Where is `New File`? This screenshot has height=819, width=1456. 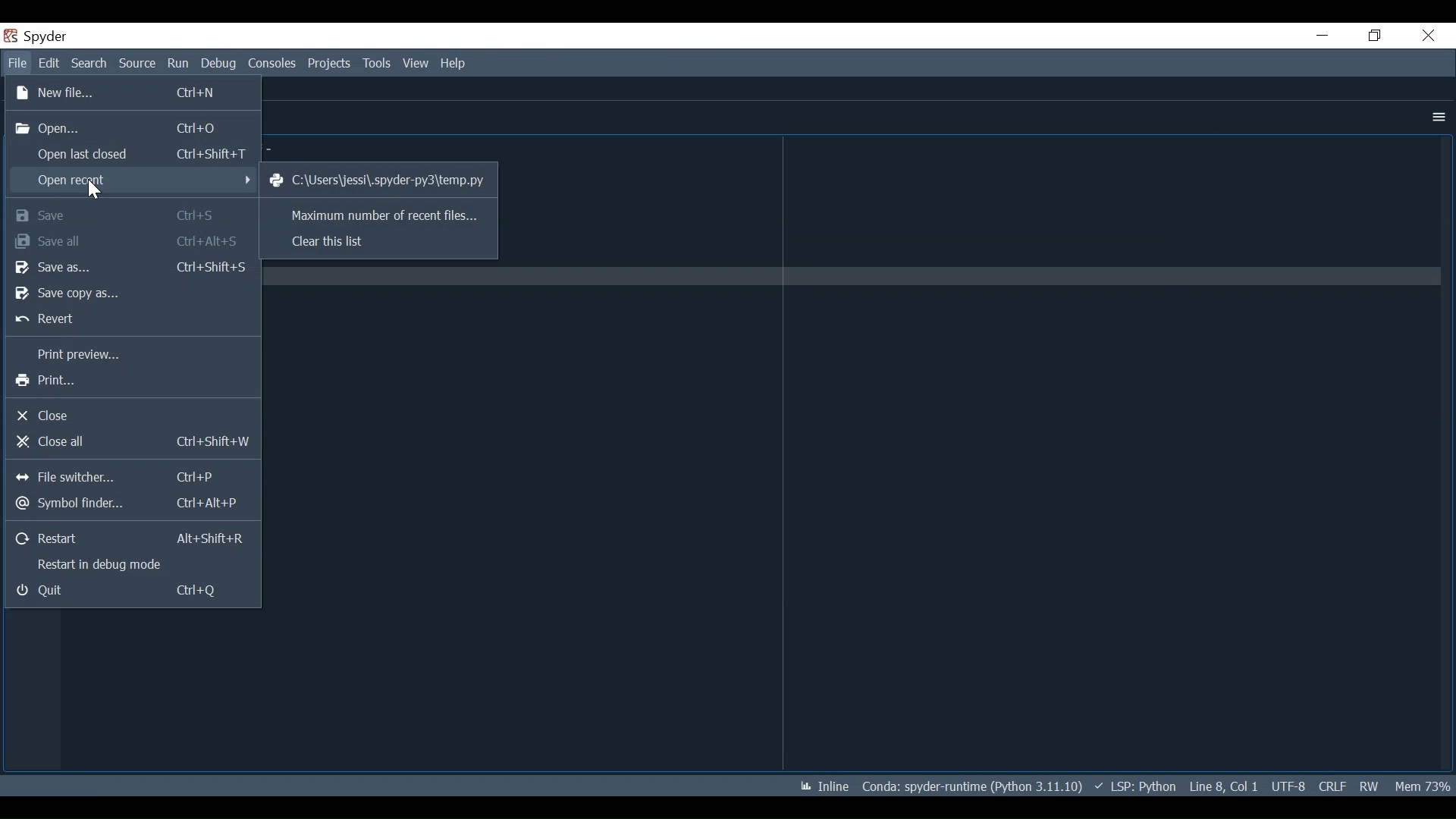 New File is located at coordinates (131, 94).